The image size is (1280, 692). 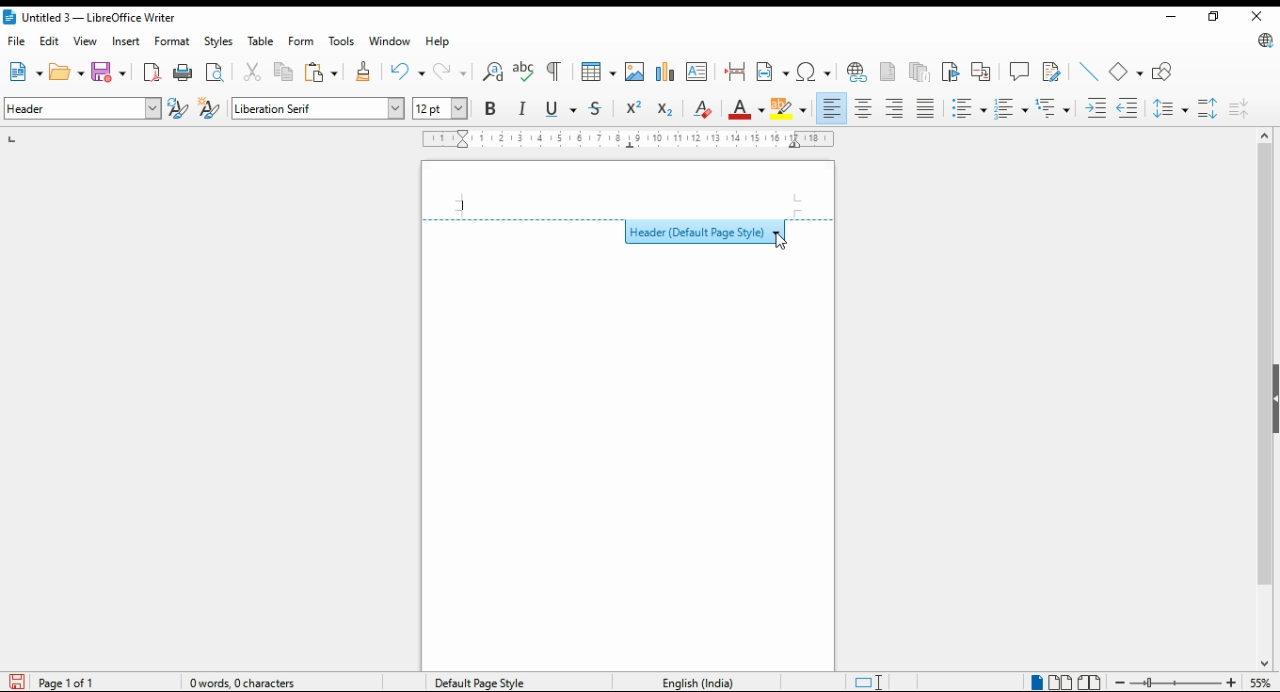 I want to click on document information, so click(x=250, y=682).